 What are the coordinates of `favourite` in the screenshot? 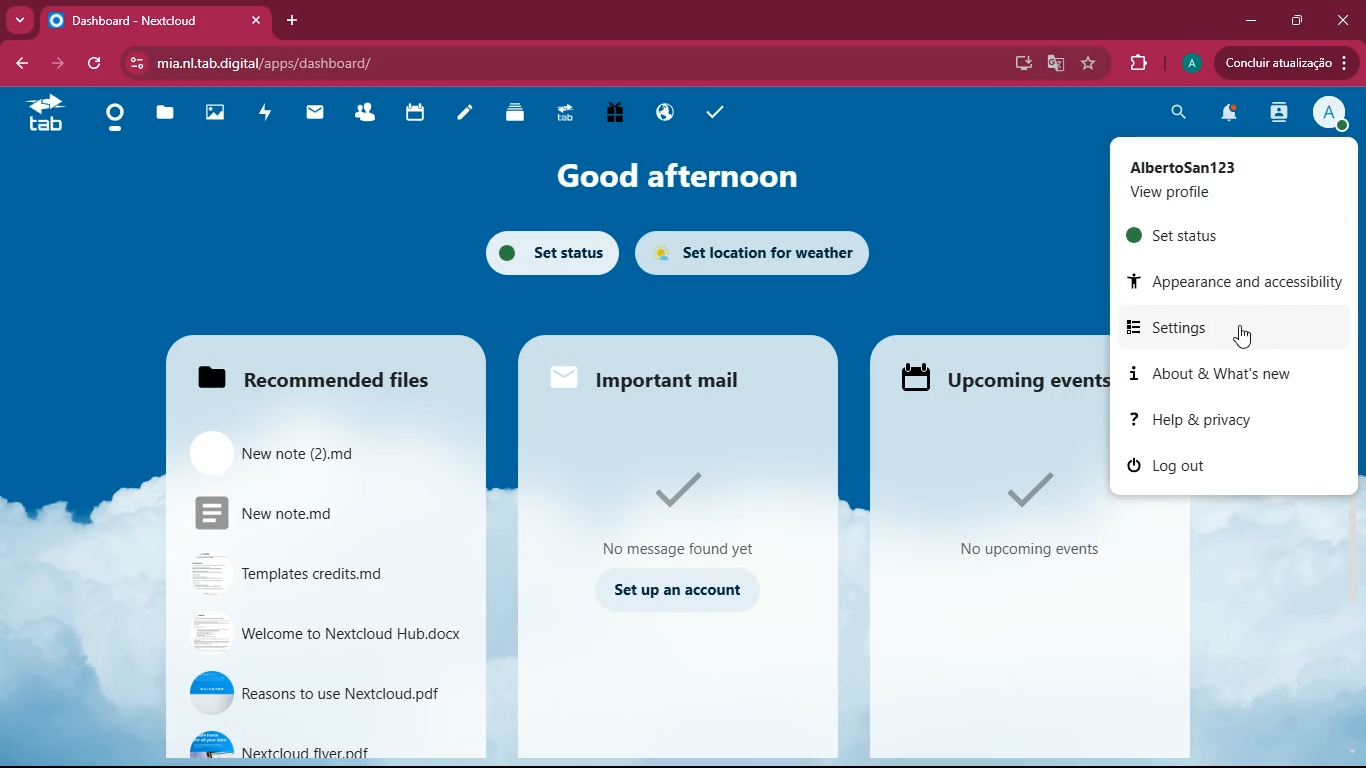 It's located at (1090, 65).